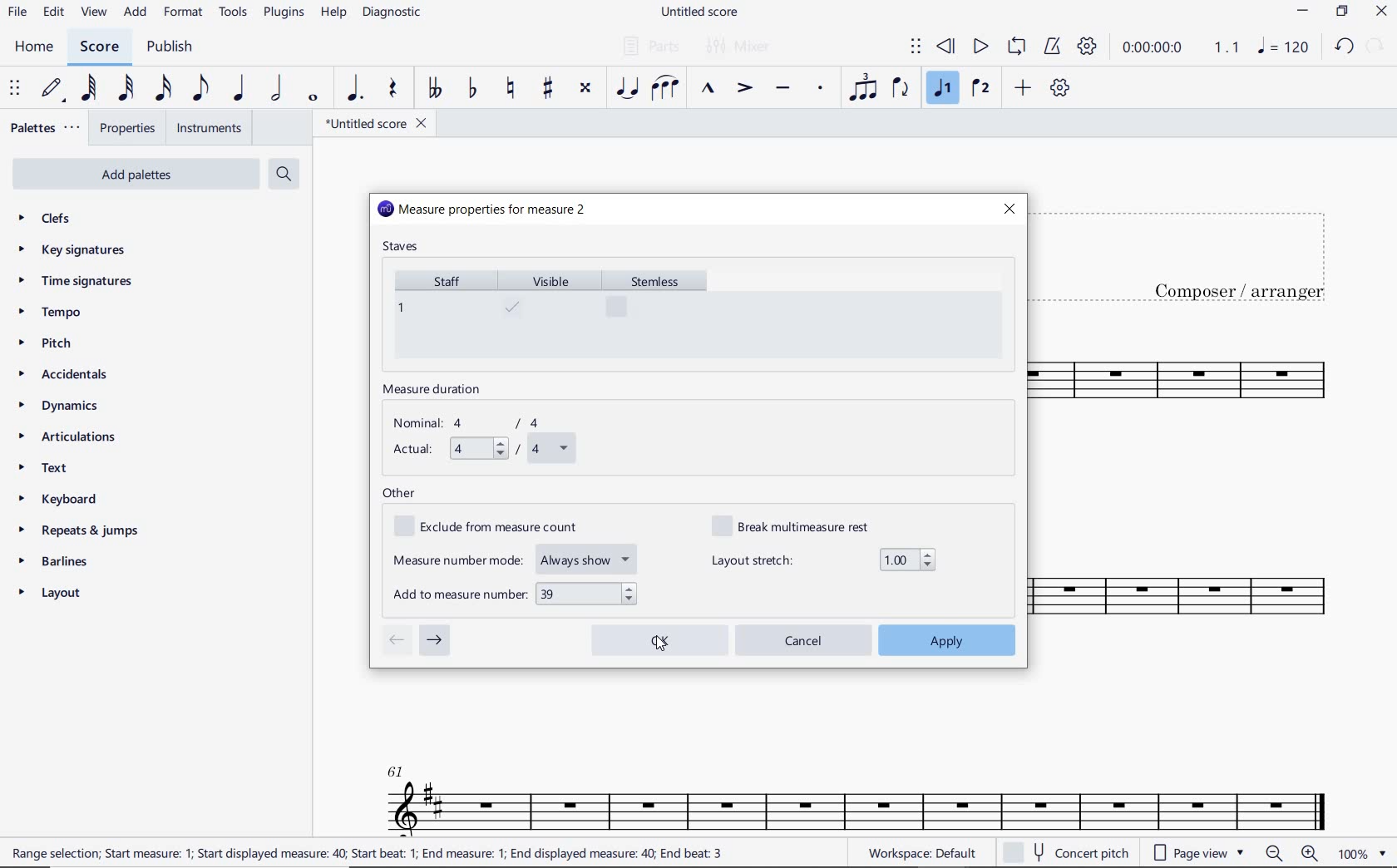 The height and width of the screenshot is (868, 1397). I want to click on DEFAULT (STEP TIME), so click(54, 89).